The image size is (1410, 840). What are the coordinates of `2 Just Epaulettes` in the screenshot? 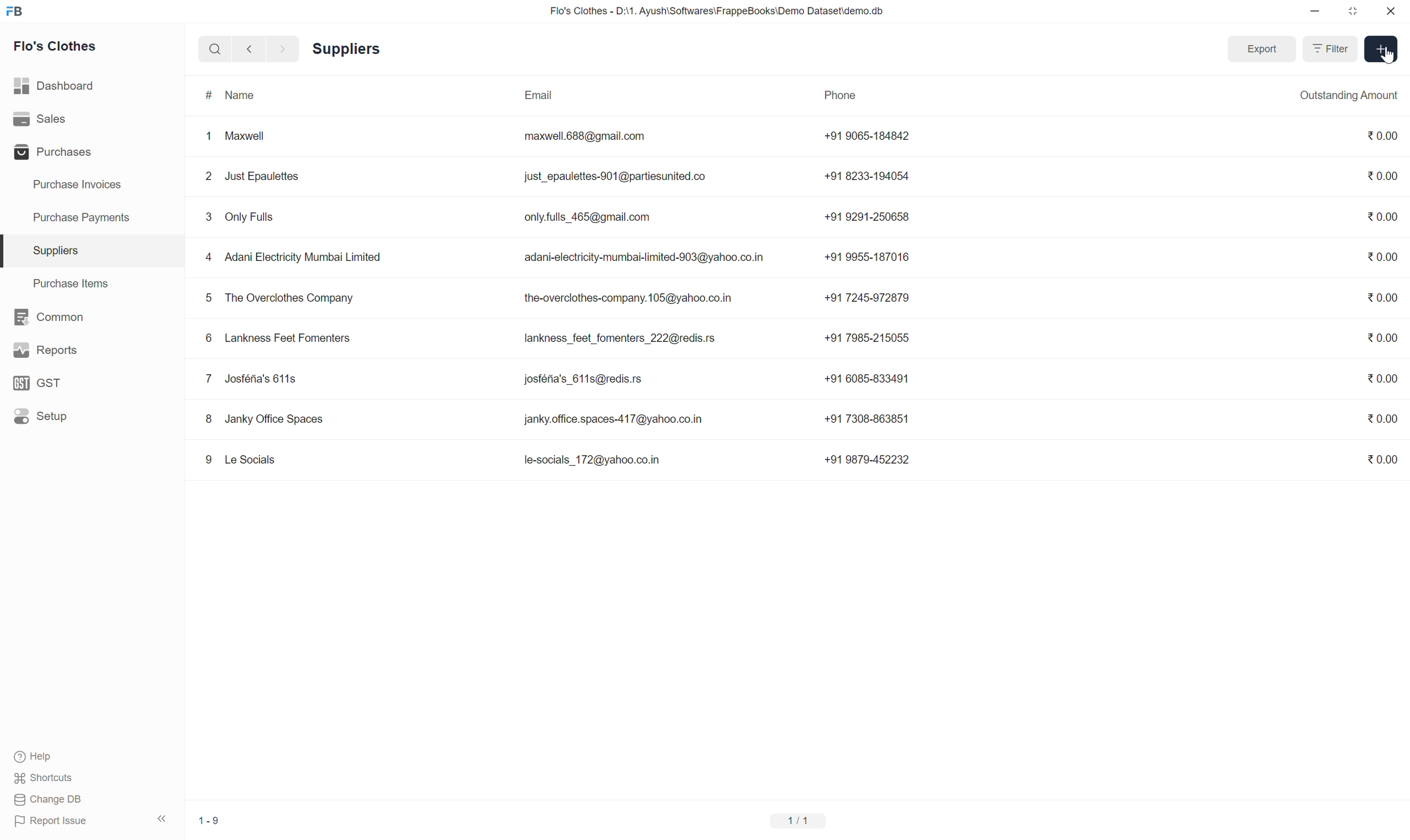 It's located at (254, 175).